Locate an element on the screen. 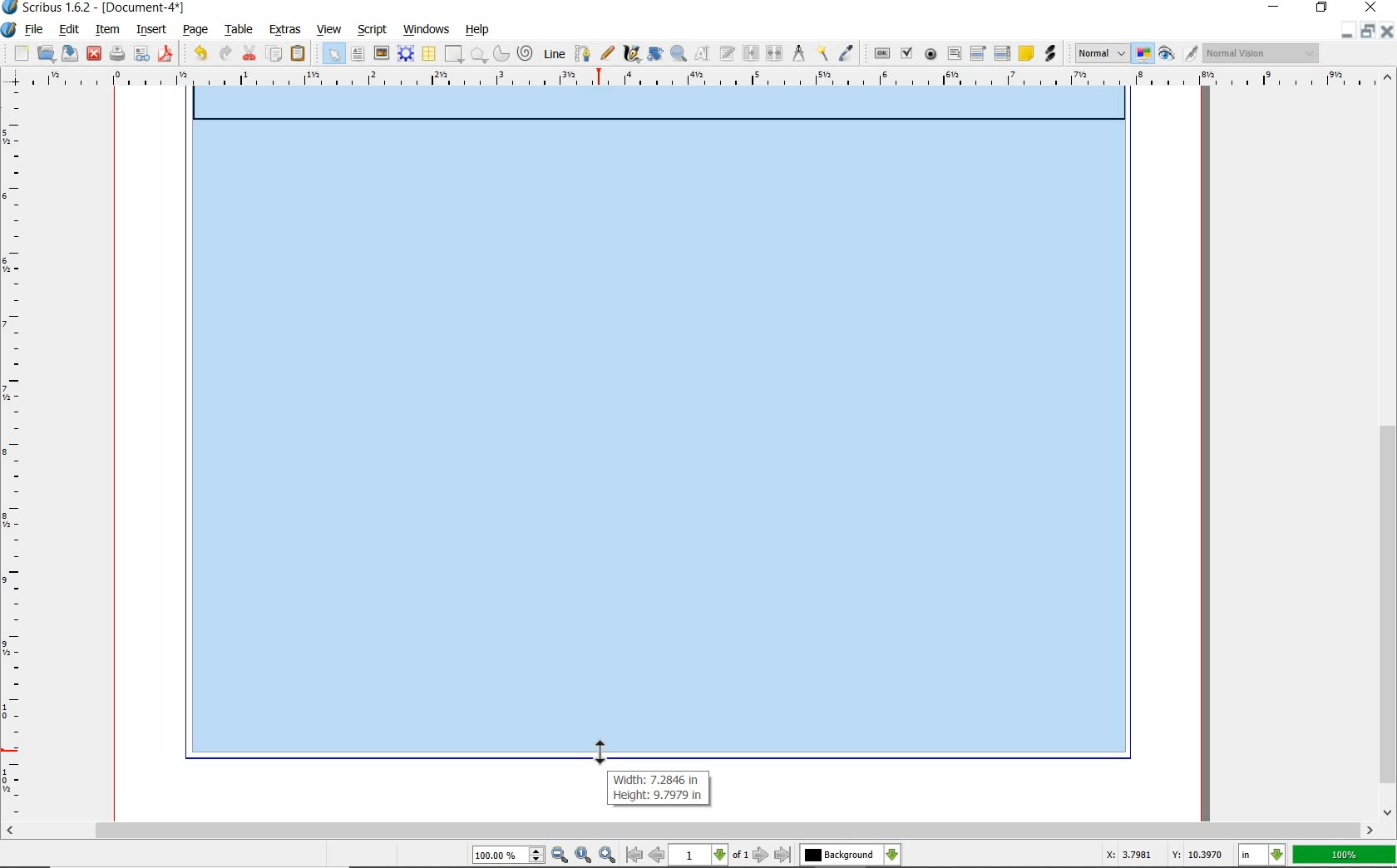  text frame is located at coordinates (358, 56).